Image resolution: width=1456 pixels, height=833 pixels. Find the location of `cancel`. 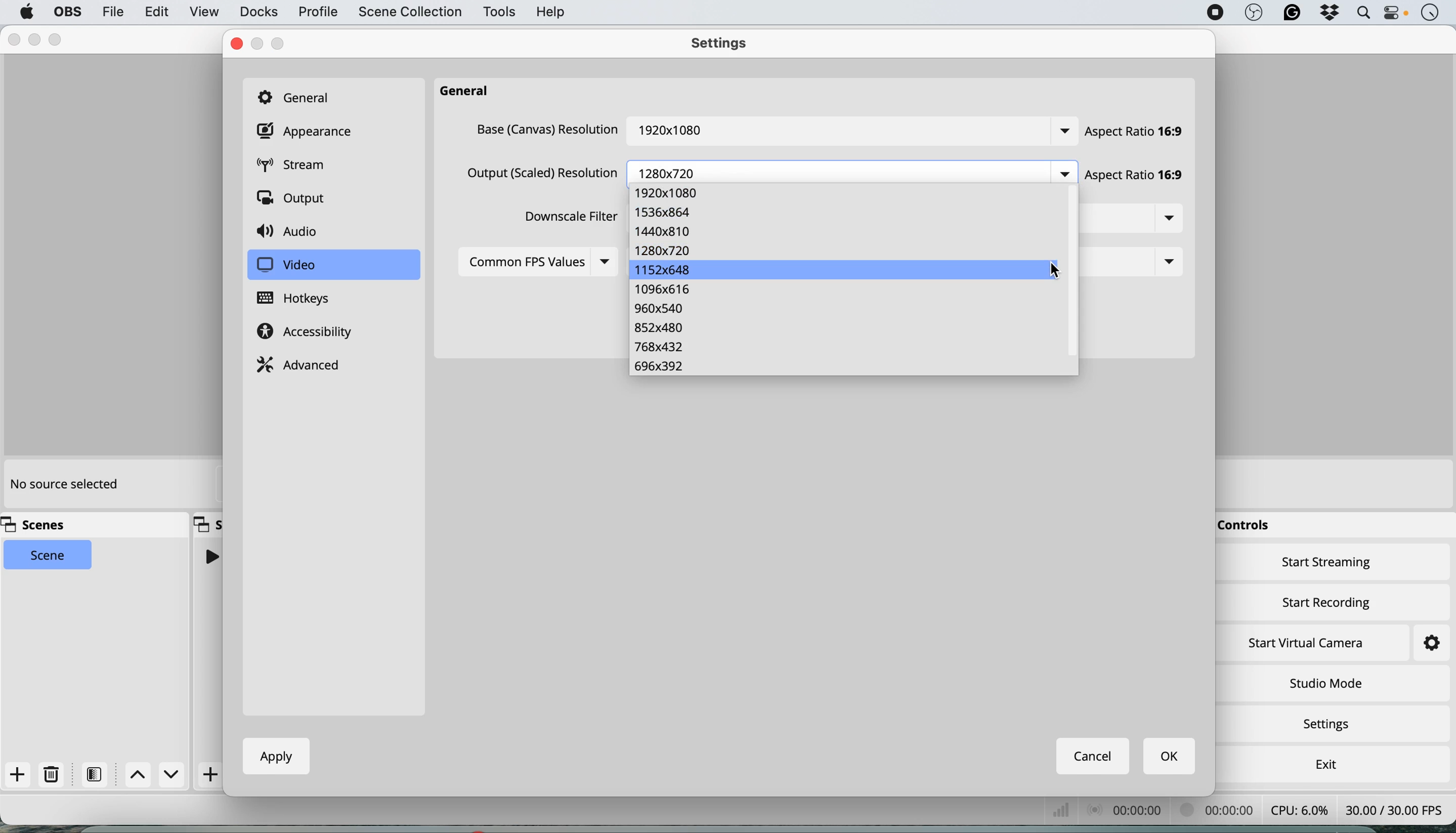

cancel is located at coordinates (1094, 756).